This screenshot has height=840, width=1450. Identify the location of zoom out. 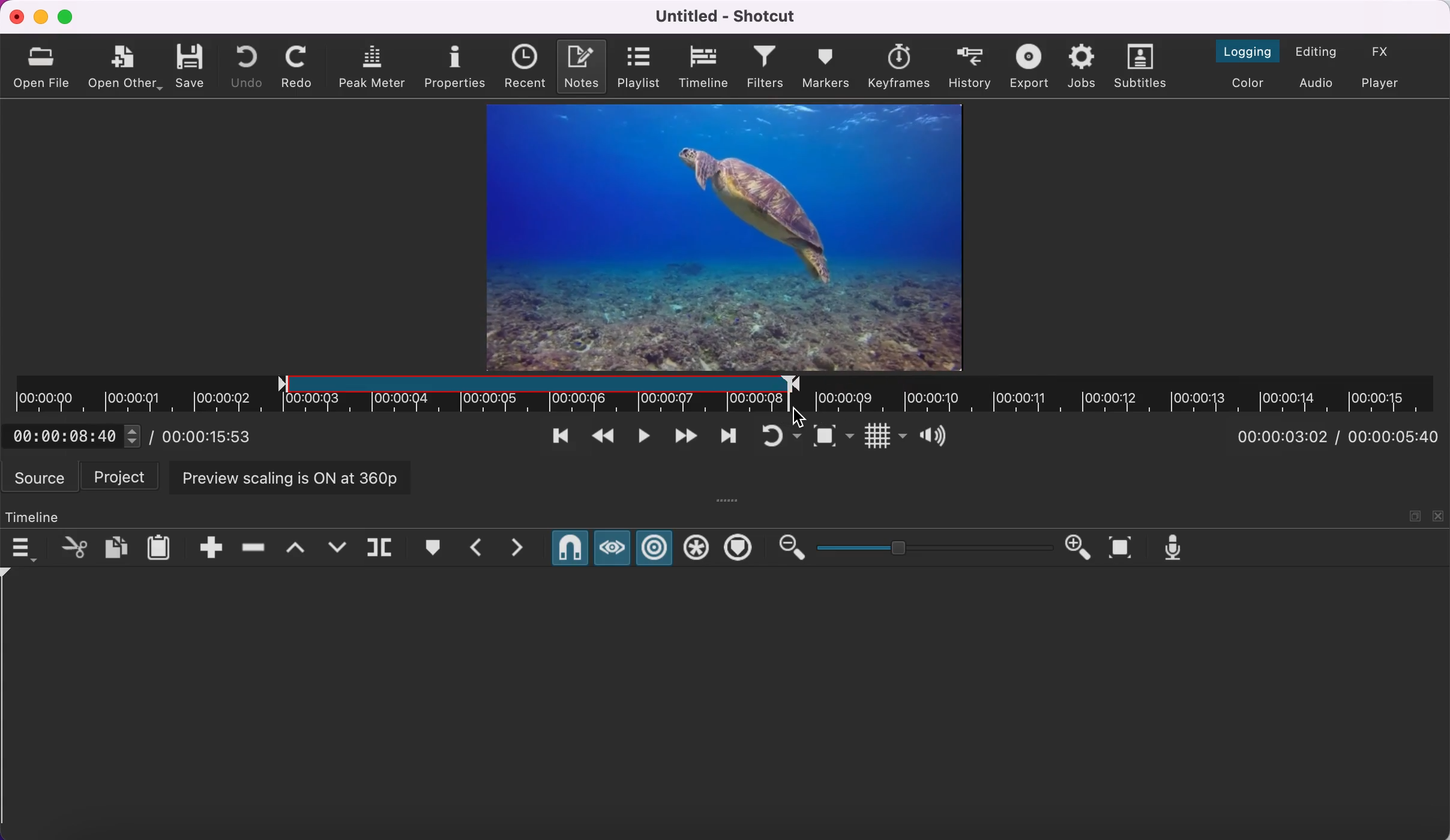
(790, 548).